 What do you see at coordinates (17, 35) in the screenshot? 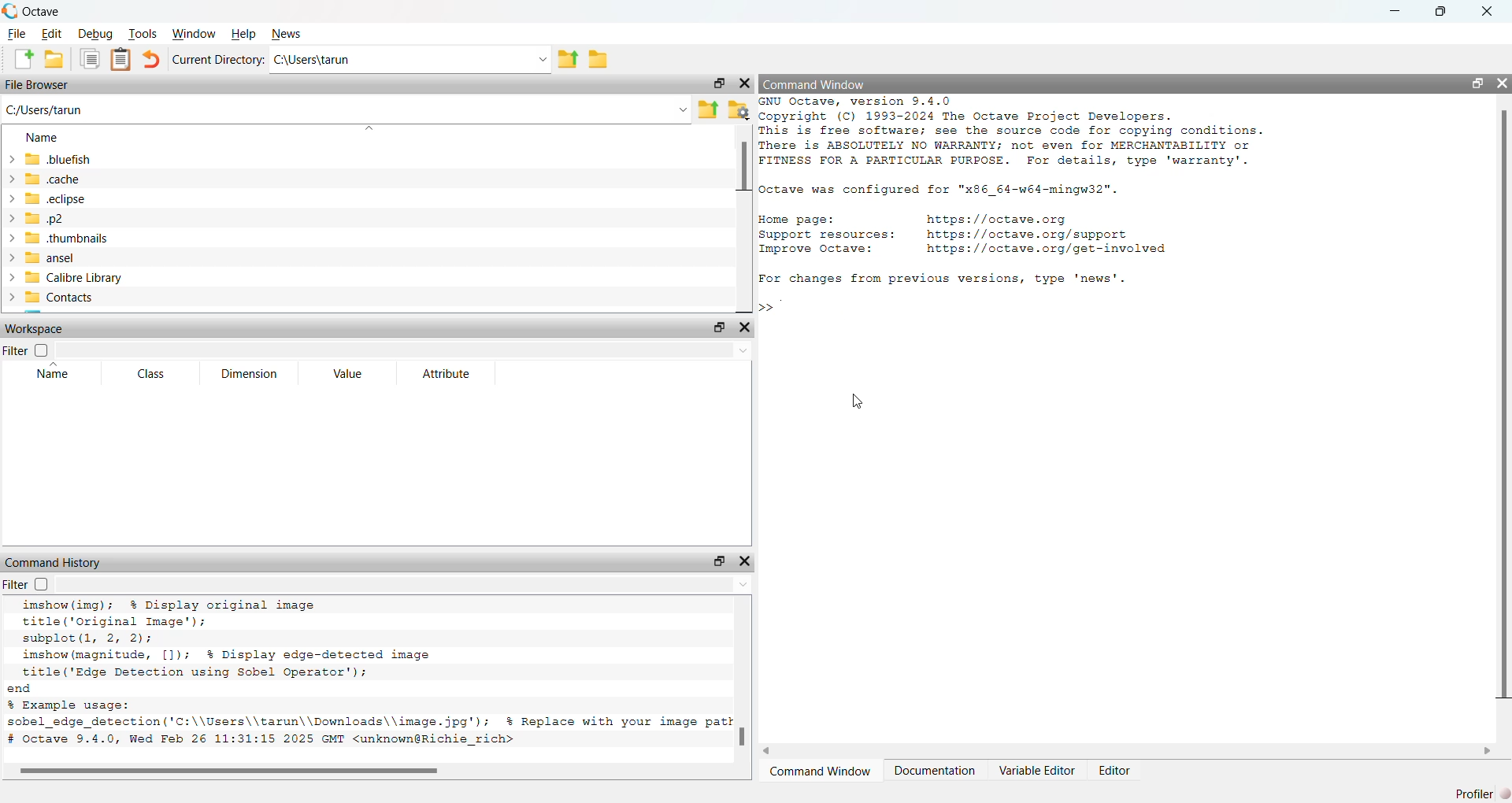
I see `File` at bounding box center [17, 35].